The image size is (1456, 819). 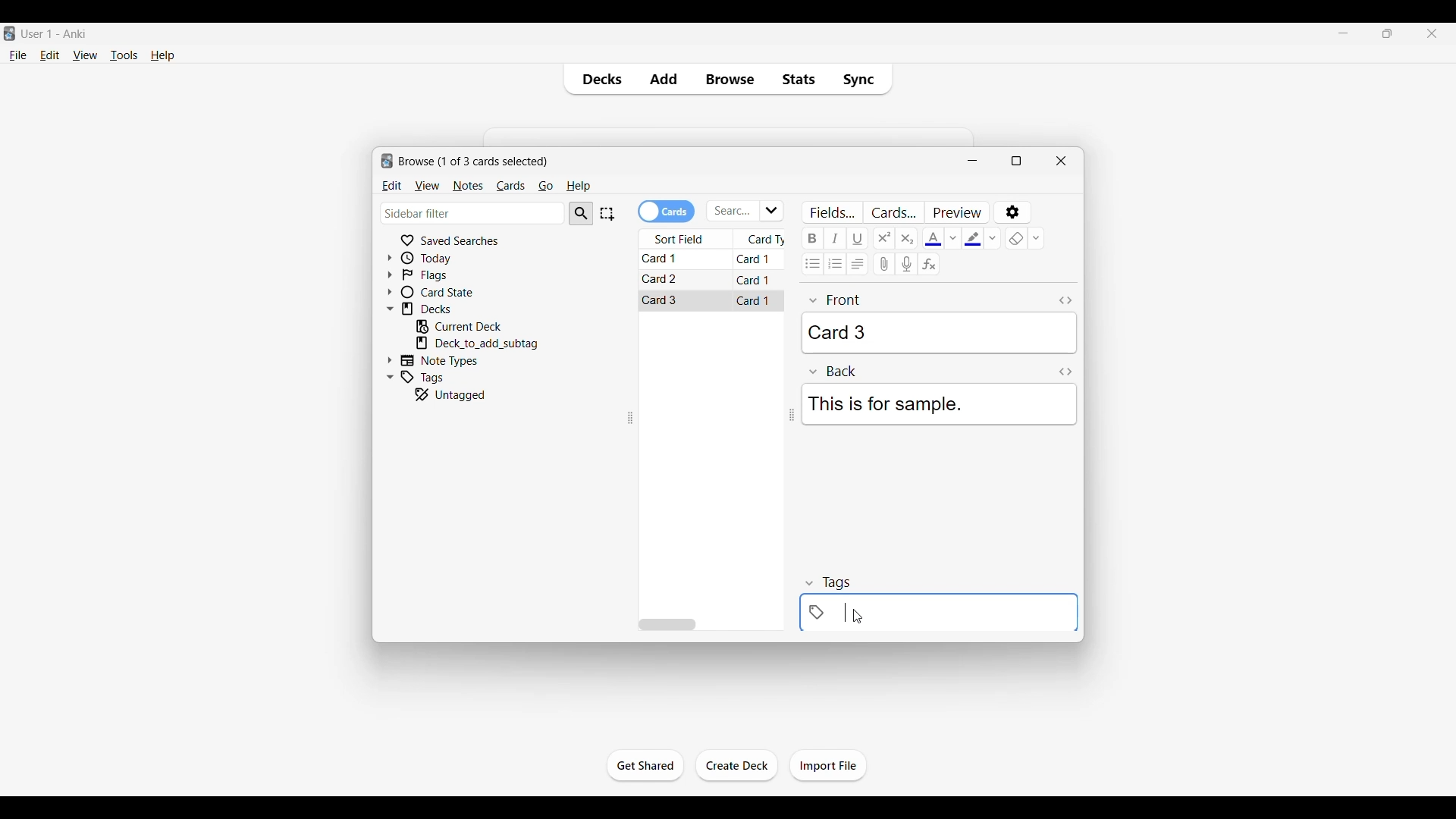 I want to click on Minimize, so click(x=972, y=161).